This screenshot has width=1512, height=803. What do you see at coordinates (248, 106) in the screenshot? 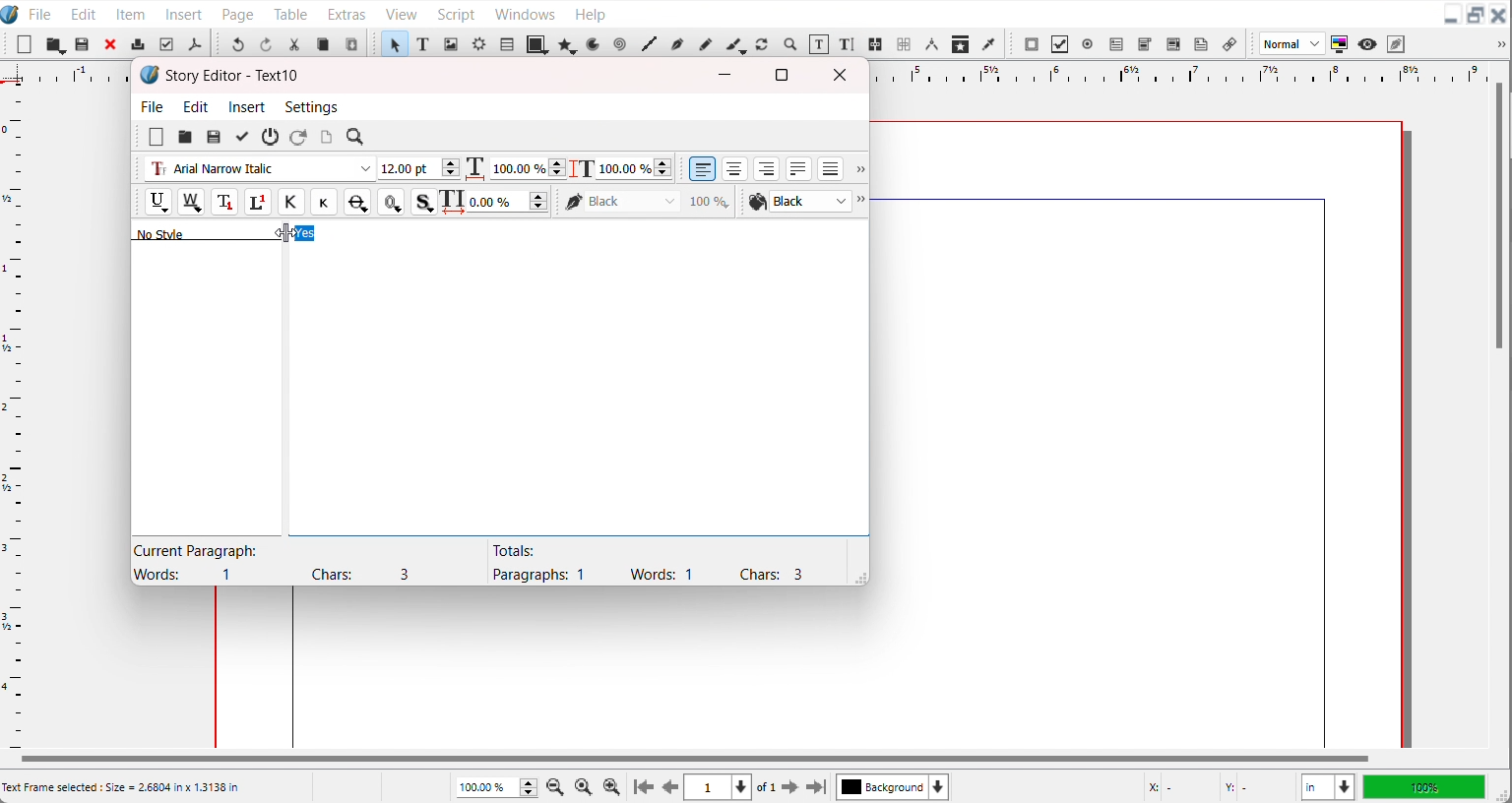
I see `Insert` at bounding box center [248, 106].